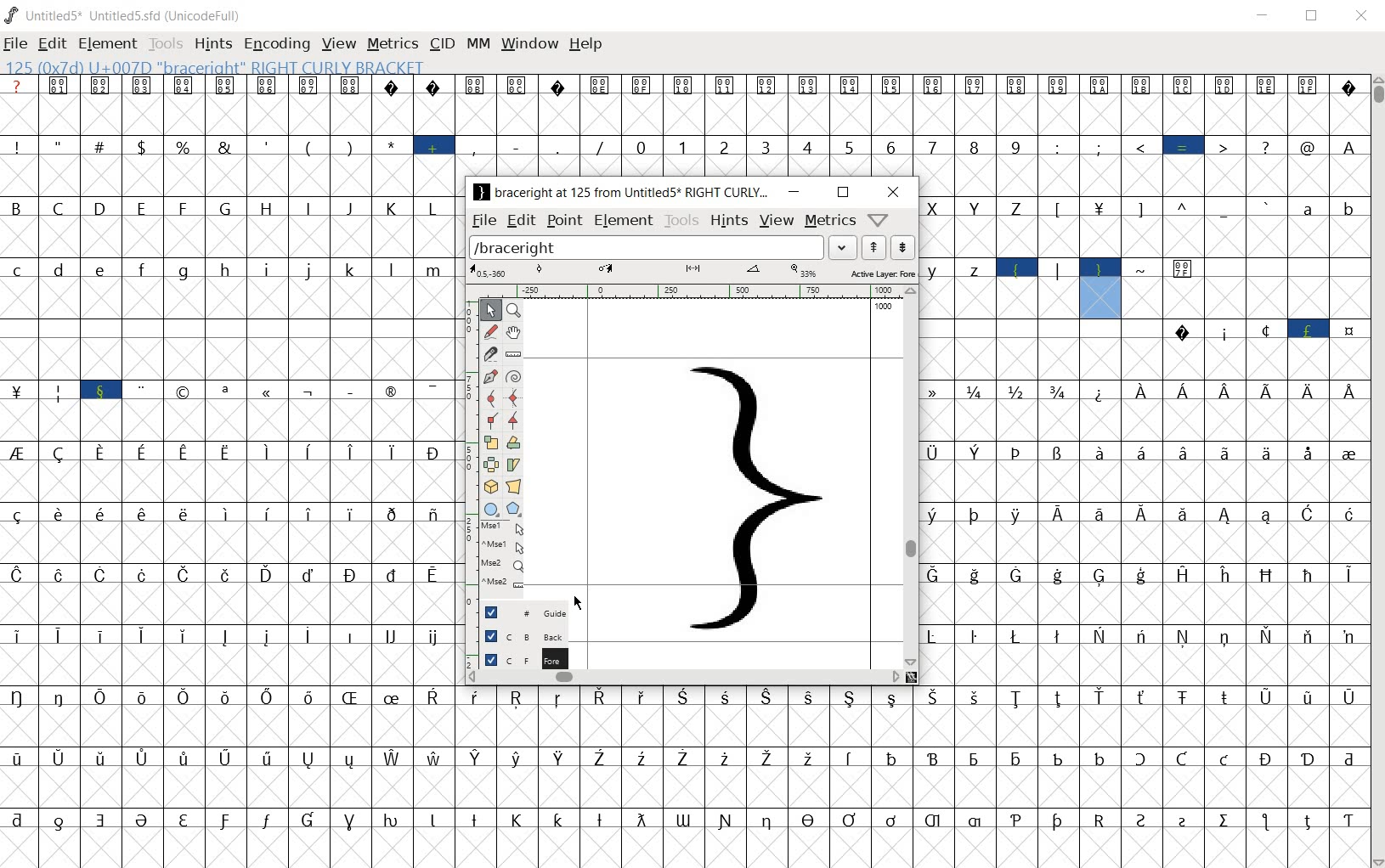 The image size is (1385, 868). Describe the element at coordinates (680, 220) in the screenshot. I see `tools` at that location.